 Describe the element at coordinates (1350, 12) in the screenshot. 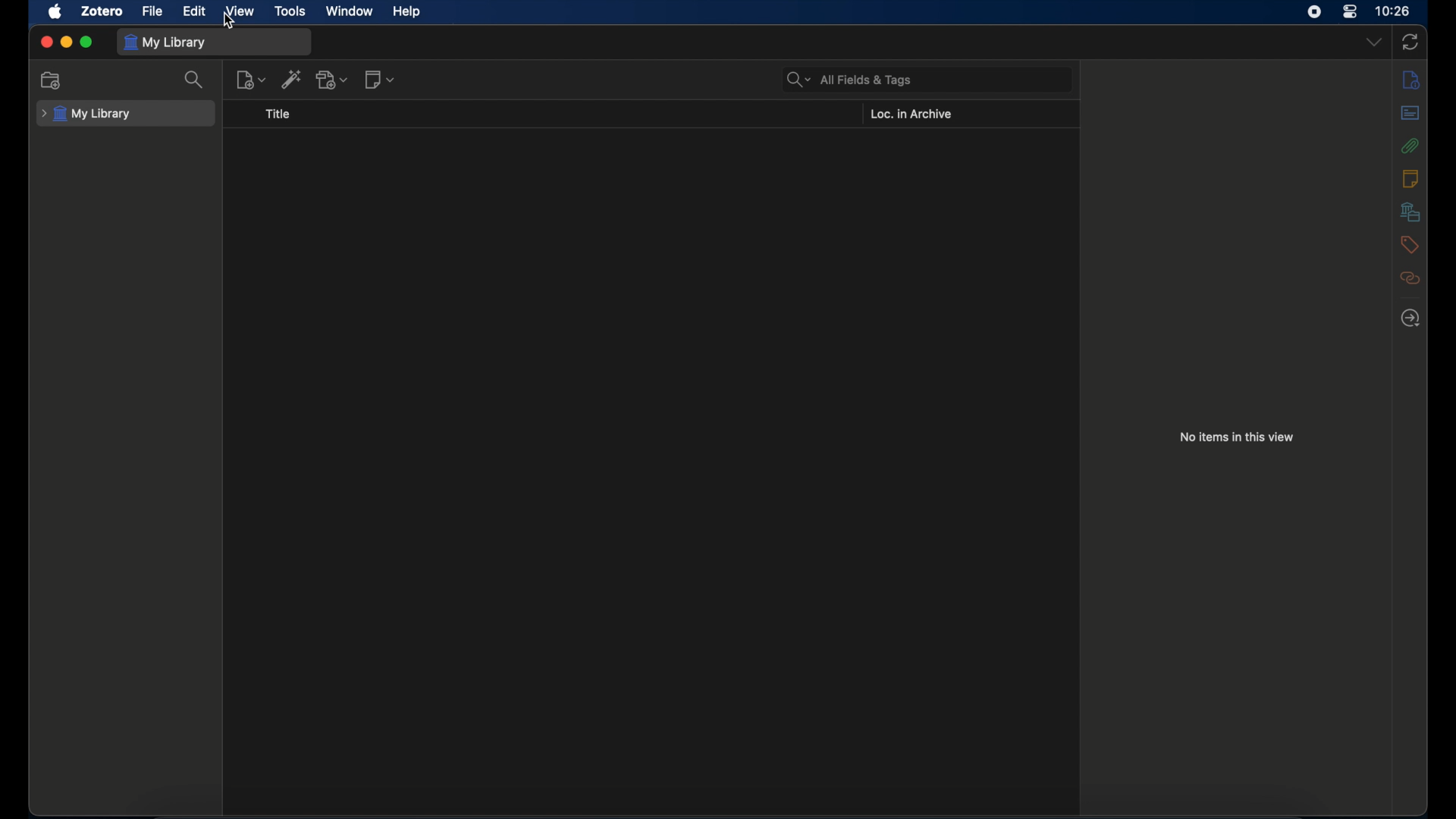

I see `control center` at that location.